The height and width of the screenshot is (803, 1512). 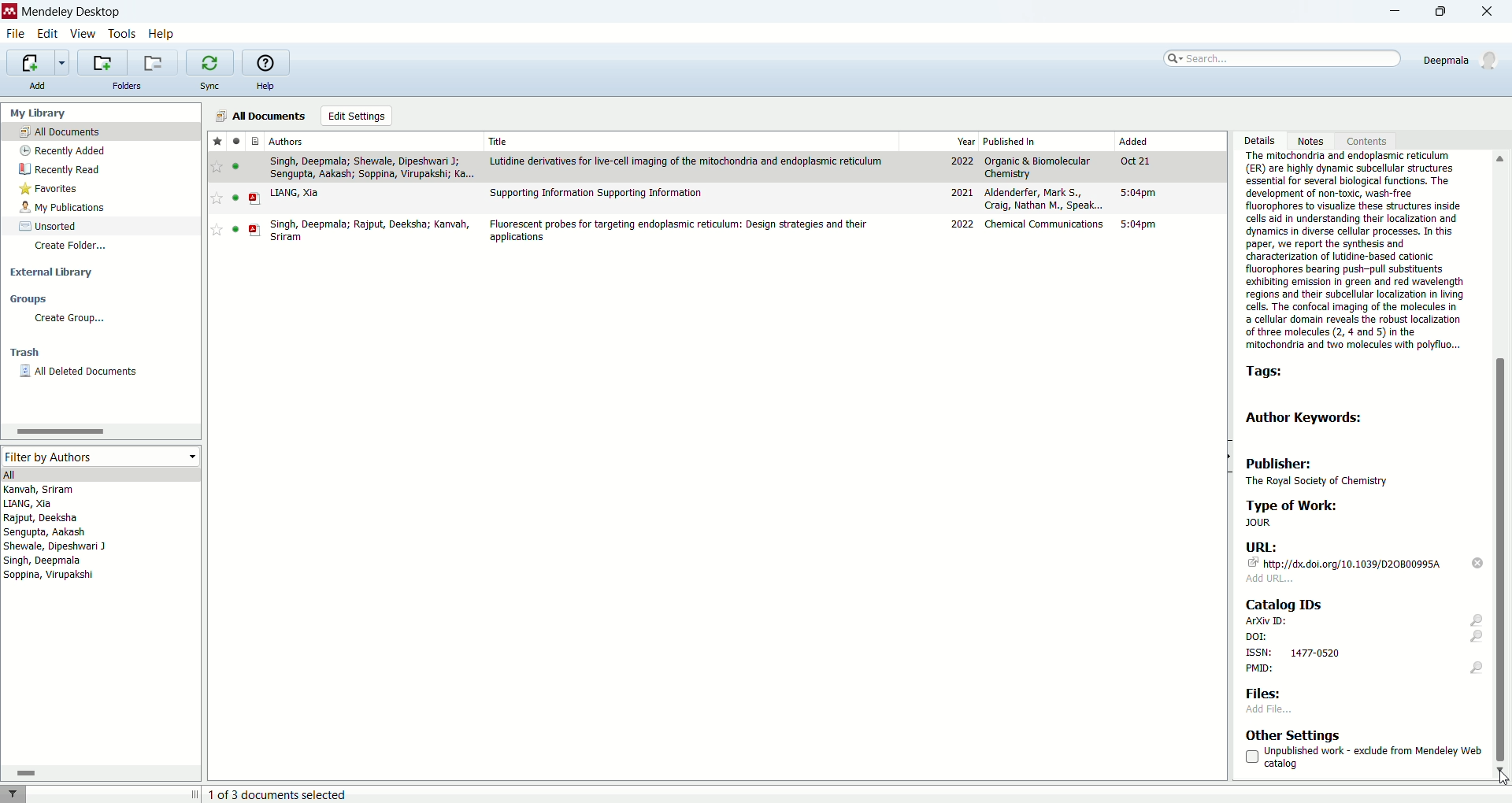 I want to click on help, so click(x=265, y=87).